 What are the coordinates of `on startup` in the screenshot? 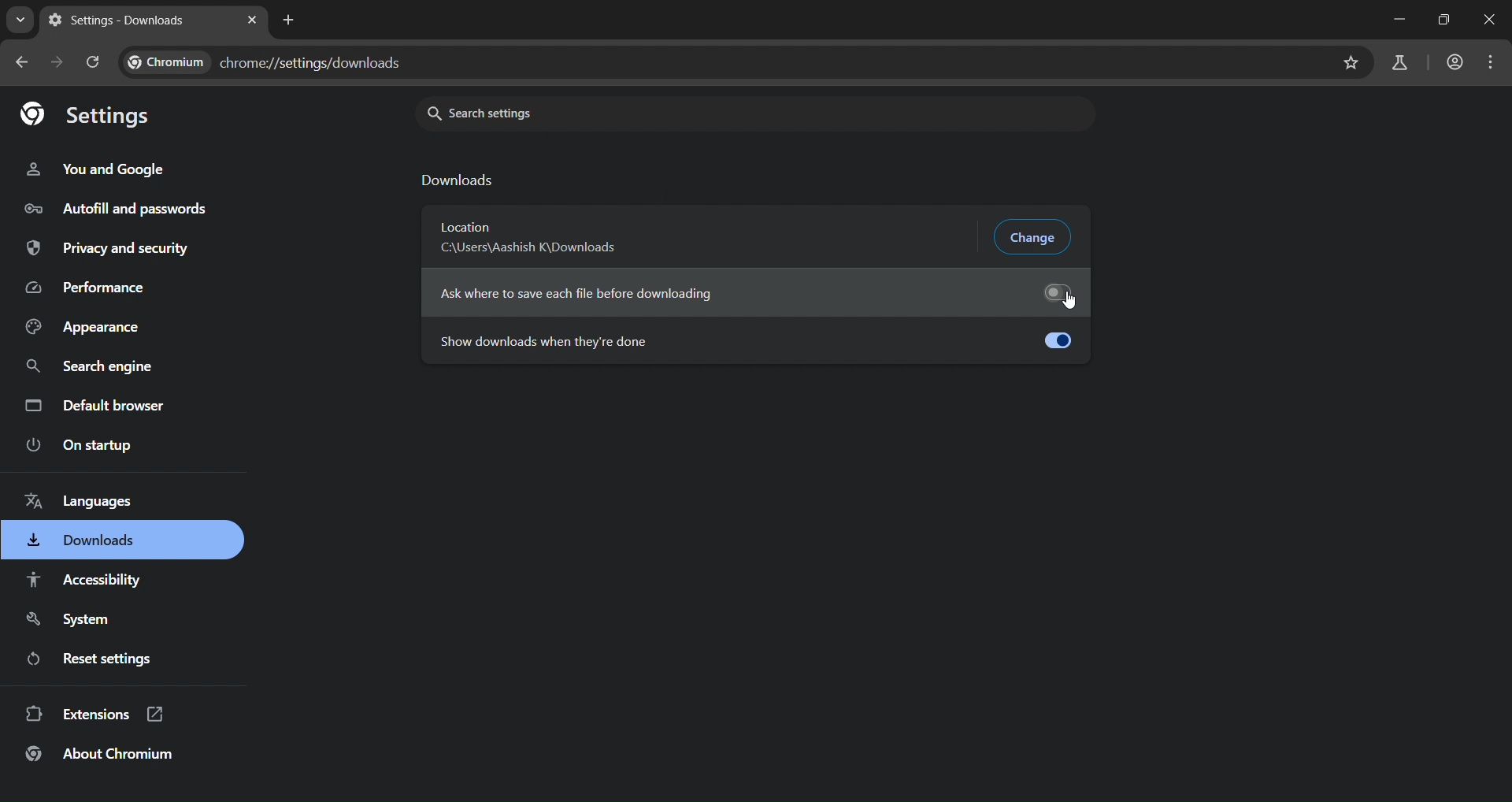 It's located at (79, 447).